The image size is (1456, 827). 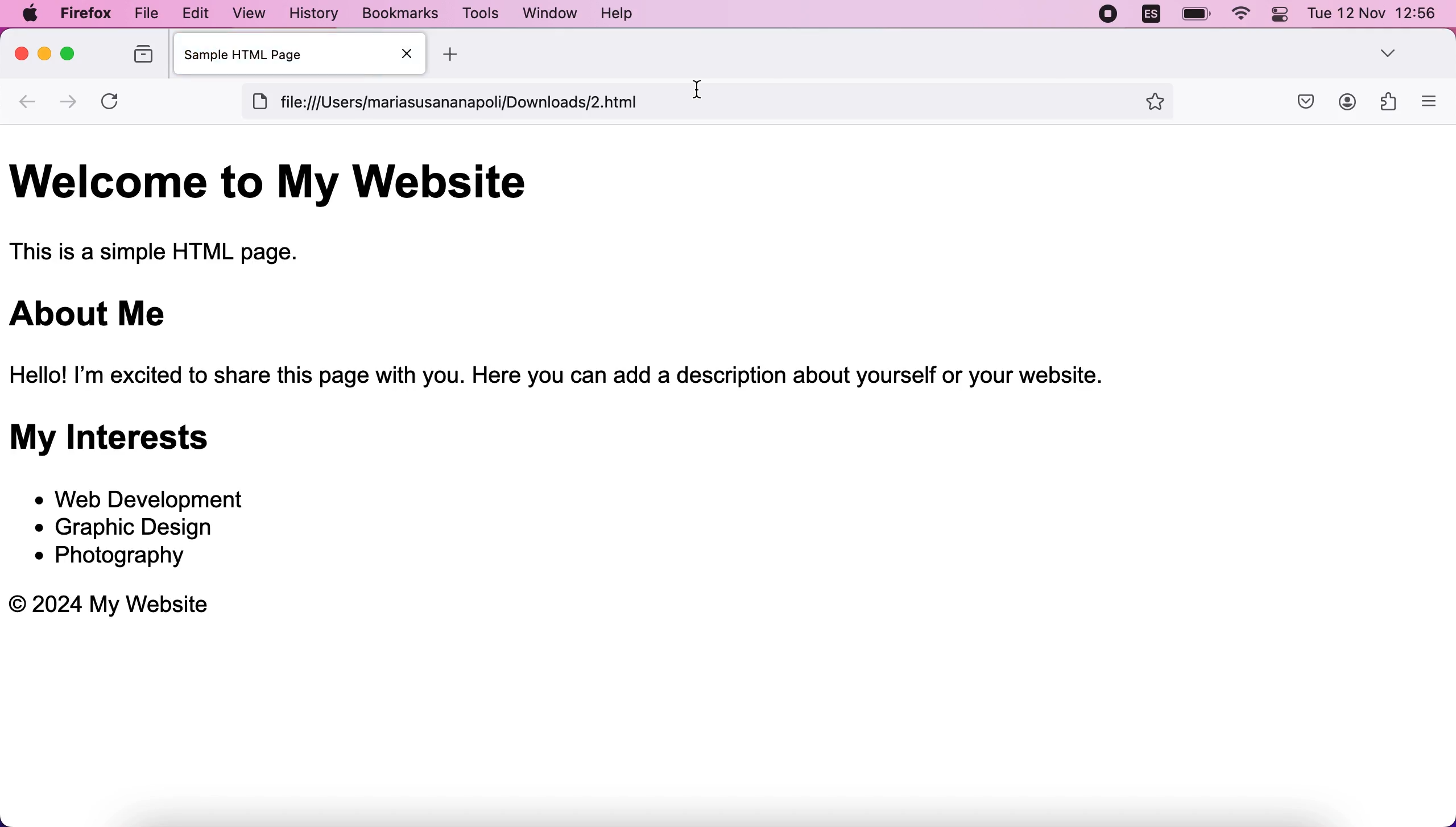 What do you see at coordinates (297, 55) in the screenshot?
I see `Sample HTML Page` at bounding box center [297, 55].